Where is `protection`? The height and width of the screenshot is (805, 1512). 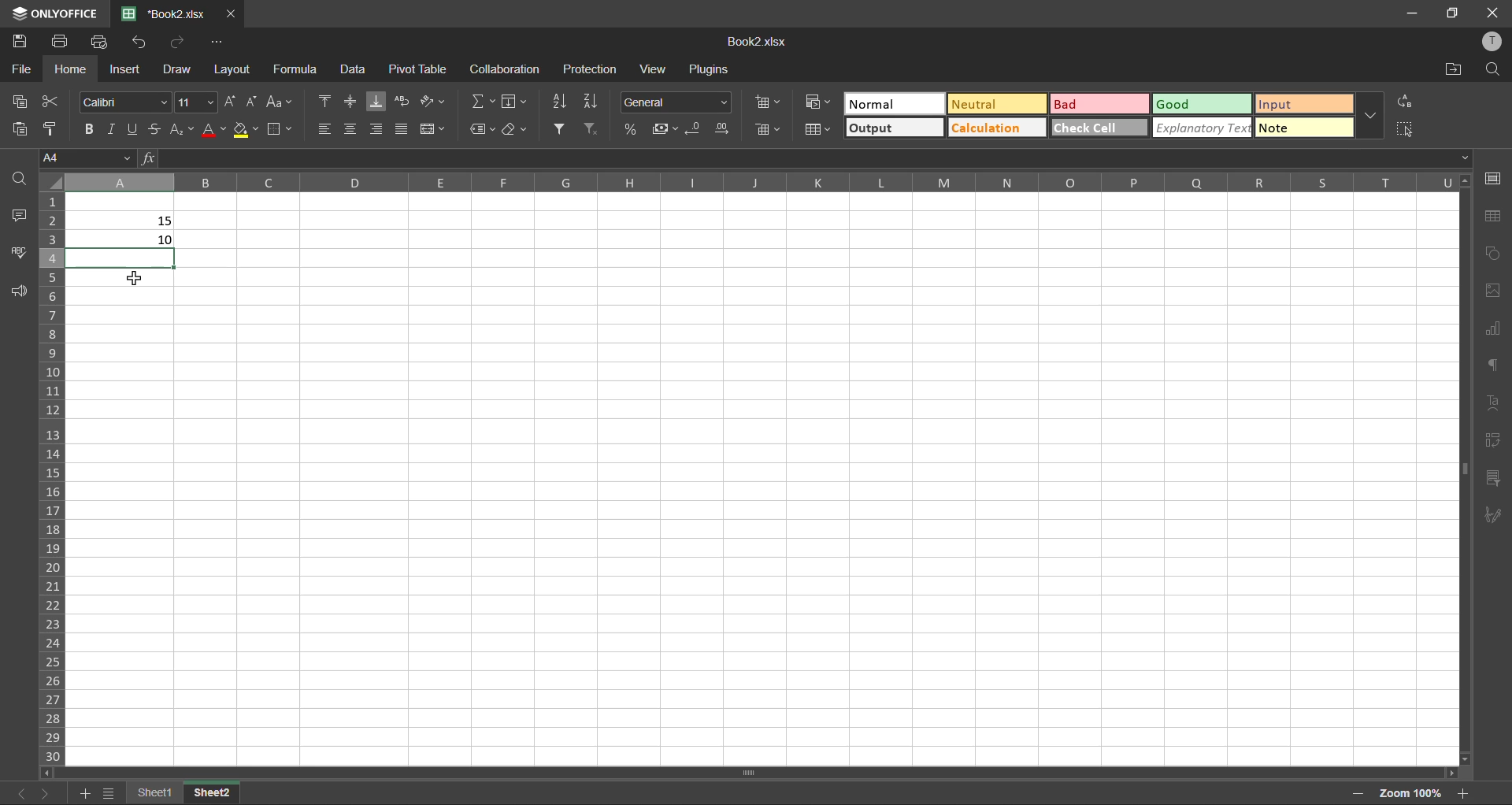 protection is located at coordinates (593, 69).